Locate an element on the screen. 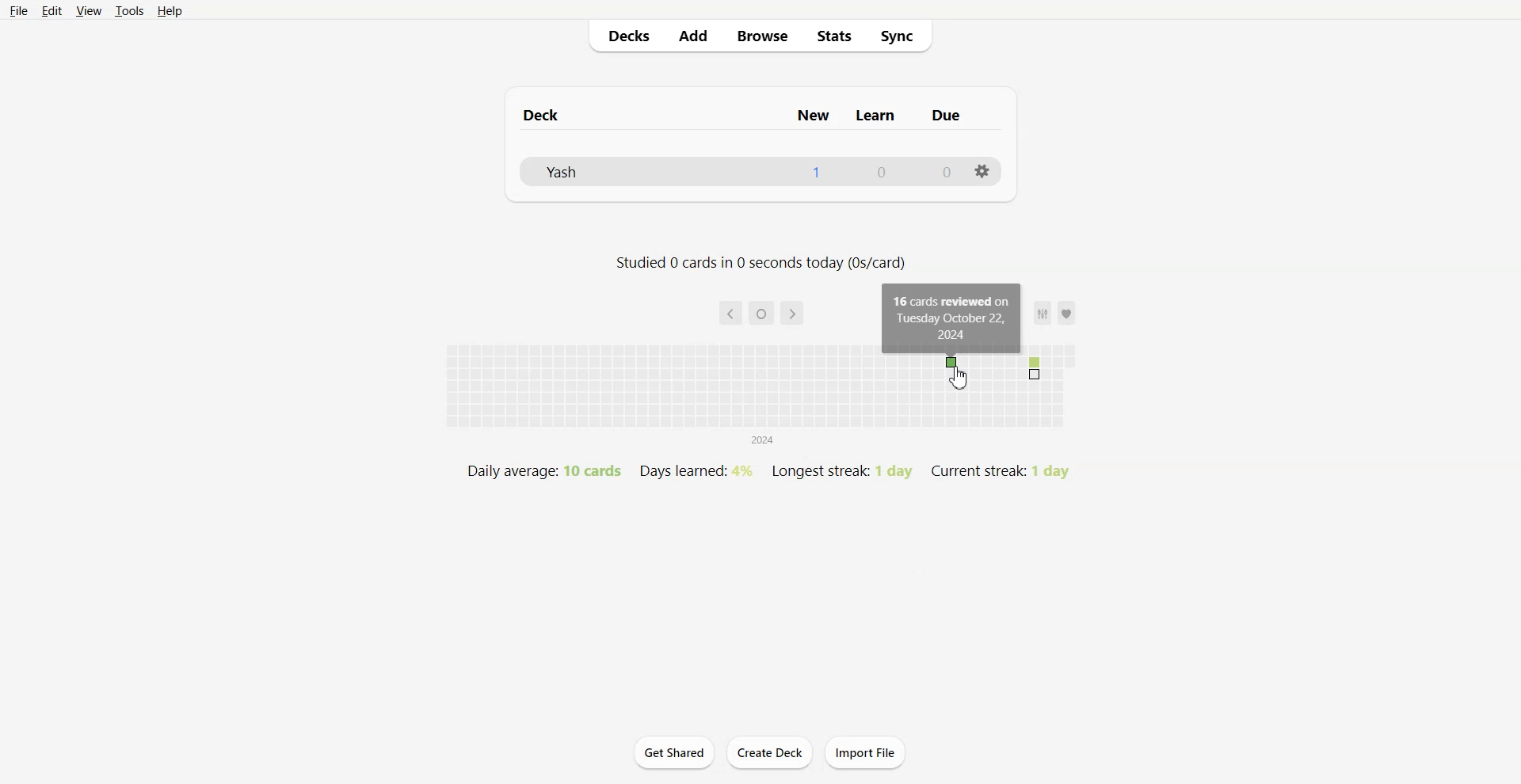 This screenshot has width=1521, height=784. Get Shared is located at coordinates (674, 752).